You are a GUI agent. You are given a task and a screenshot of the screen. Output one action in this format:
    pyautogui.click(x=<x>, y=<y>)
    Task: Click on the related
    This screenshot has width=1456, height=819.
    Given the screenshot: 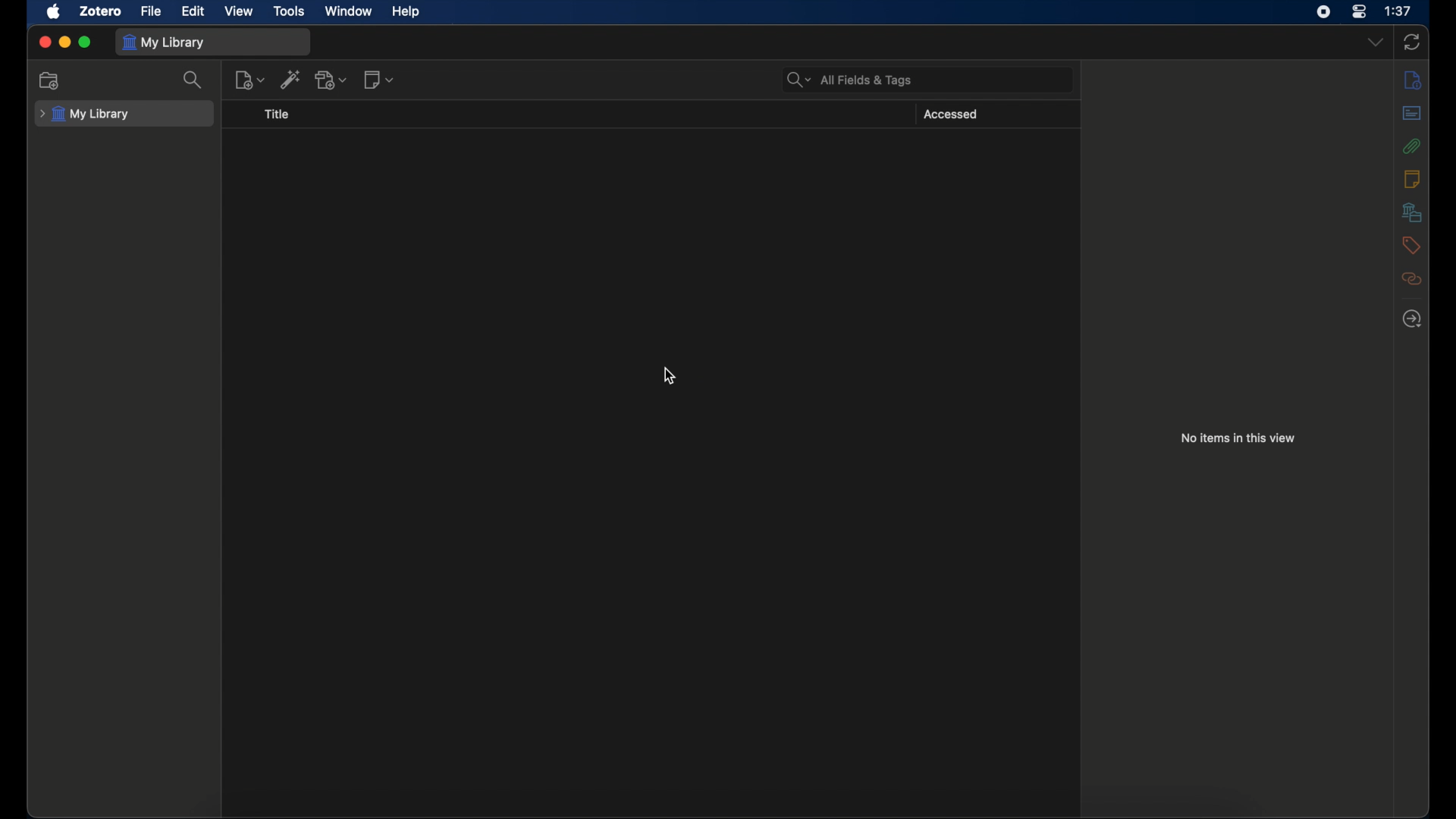 What is the action you would take?
    pyautogui.click(x=1414, y=278)
    